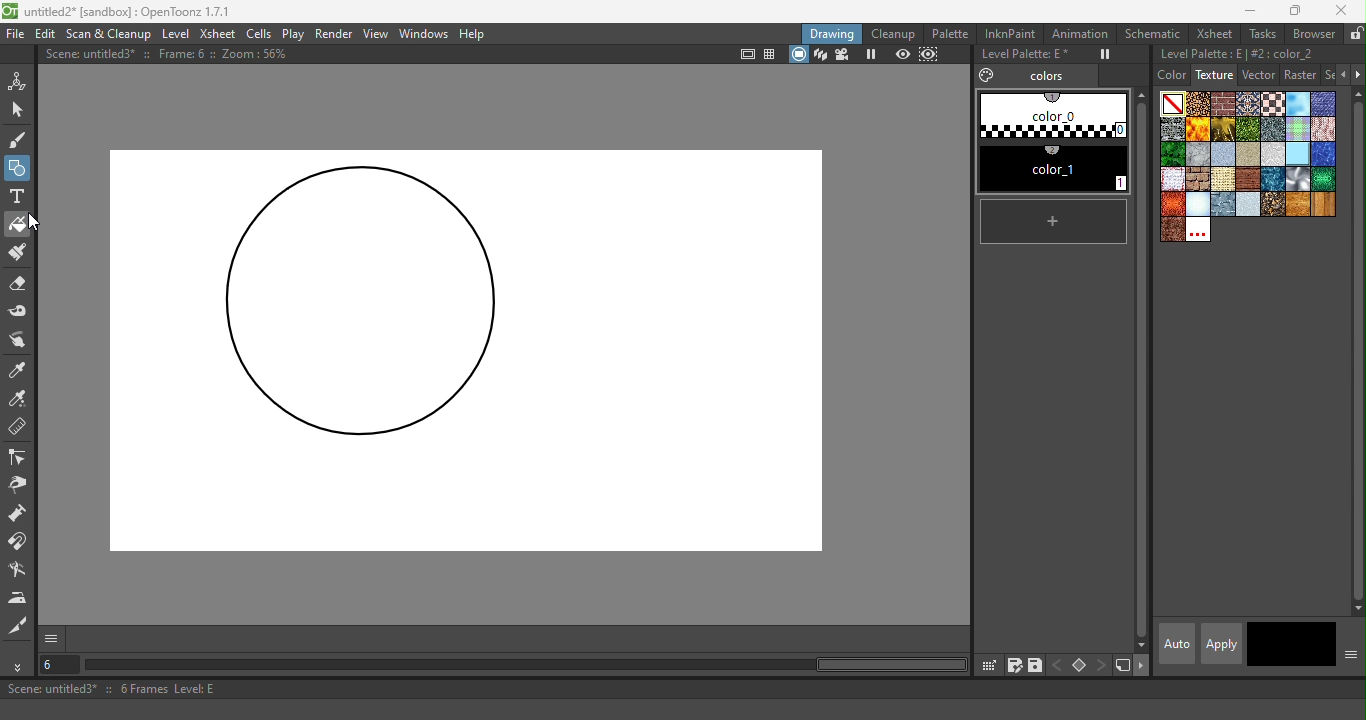  What do you see at coordinates (748, 55) in the screenshot?
I see `Safe area` at bounding box center [748, 55].